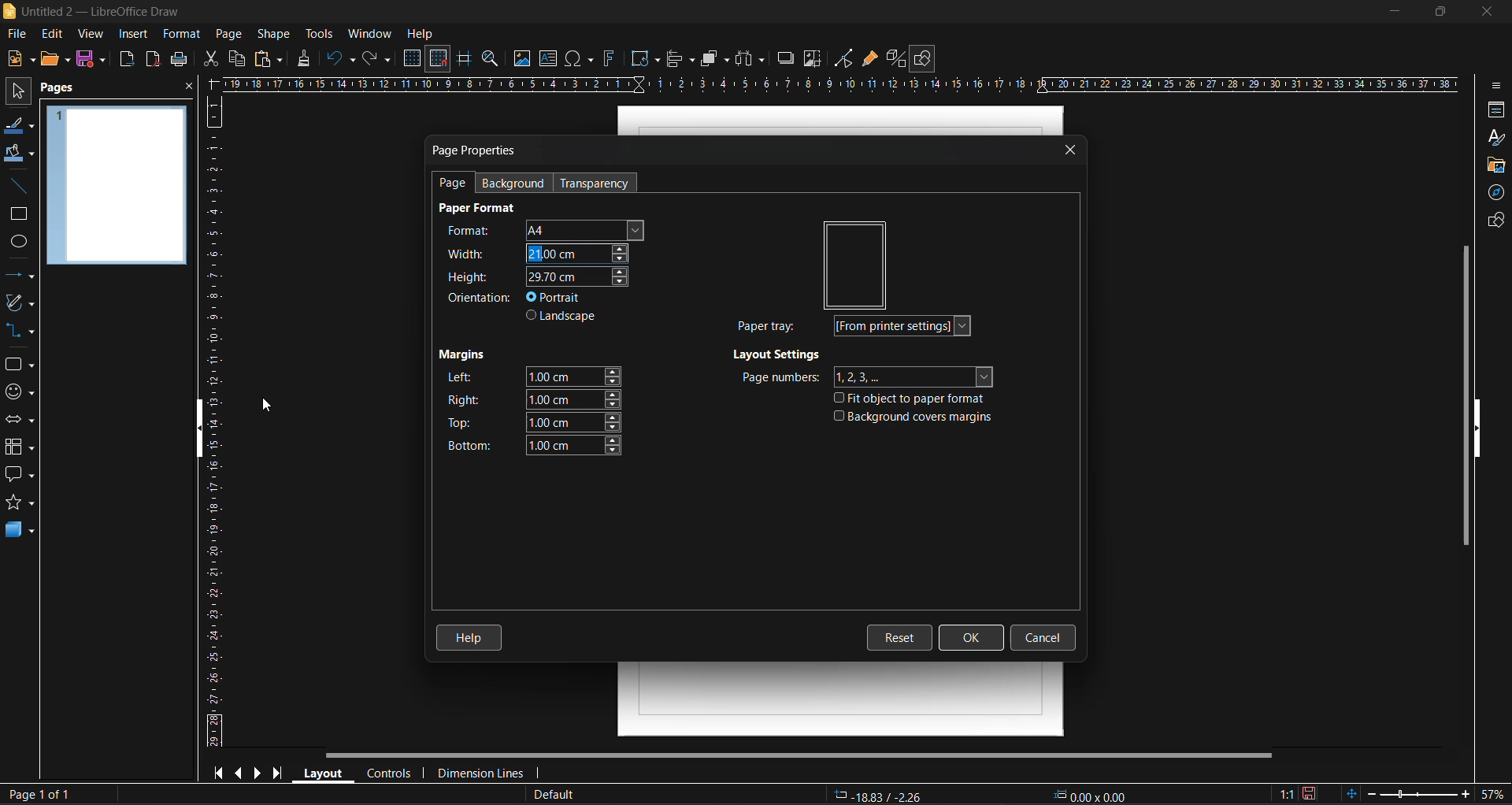  I want to click on flowcharts, so click(24, 447).